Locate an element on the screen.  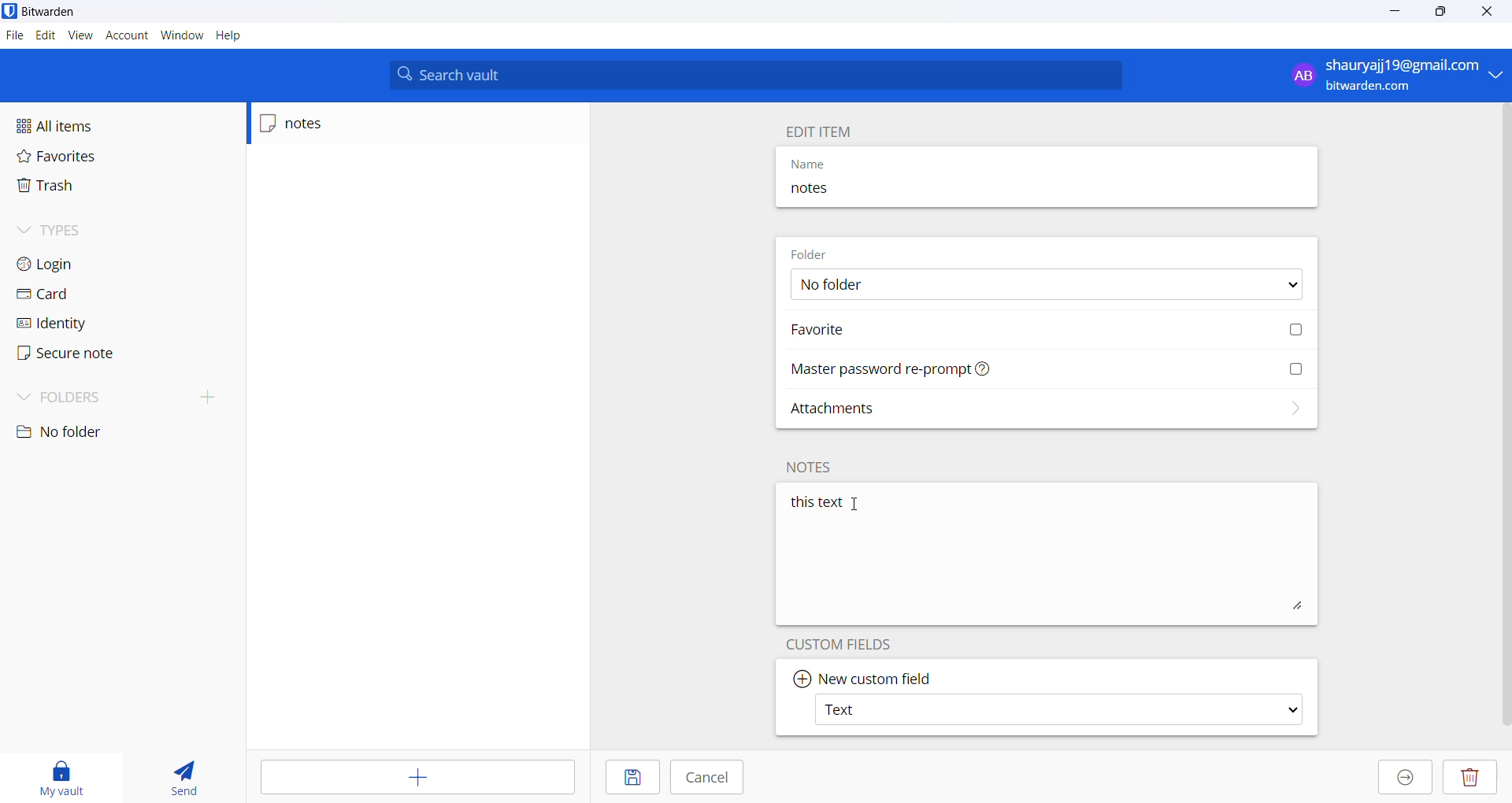
name  is located at coordinates (869, 164).